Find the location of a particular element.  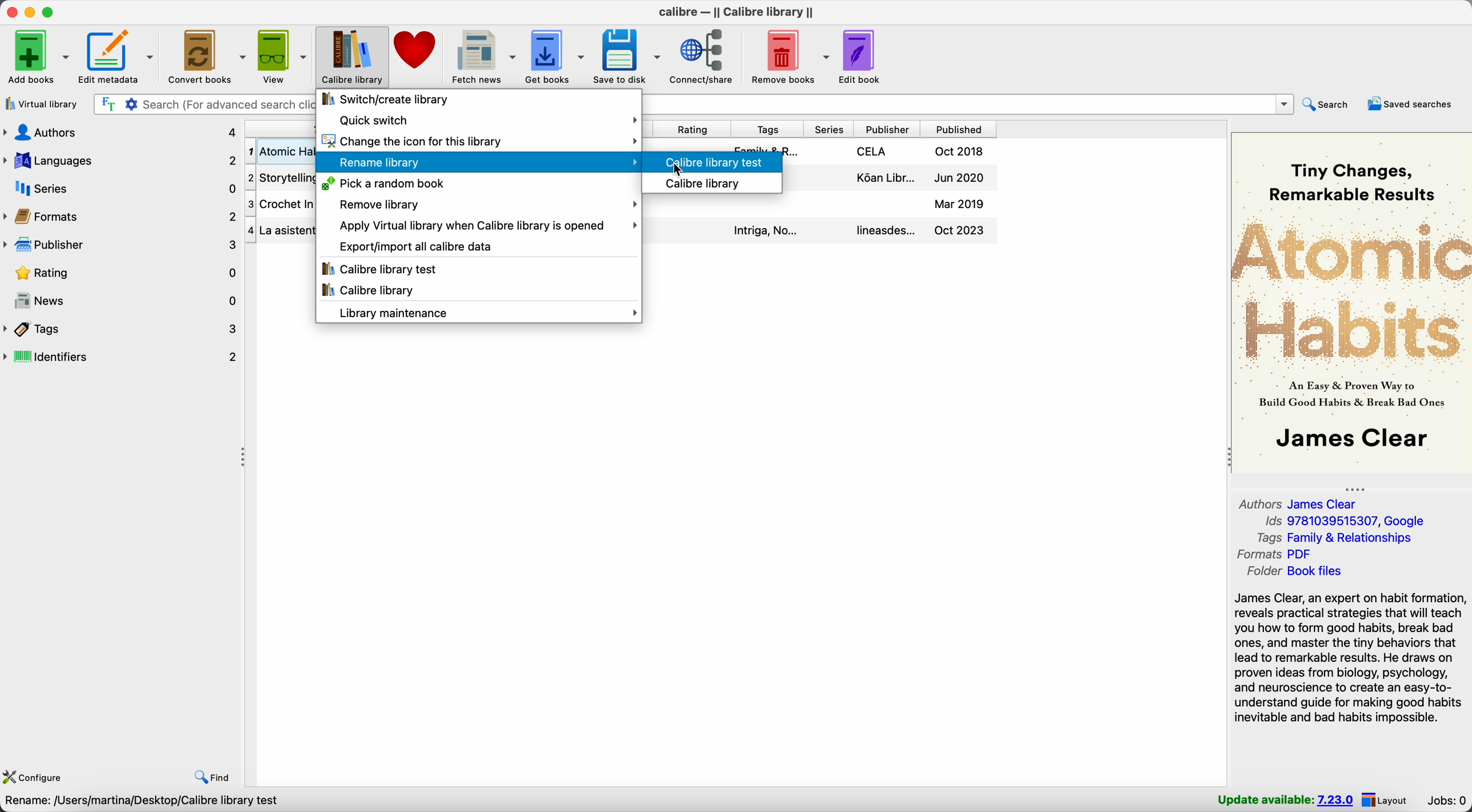

series is located at coordinates (829, 130).